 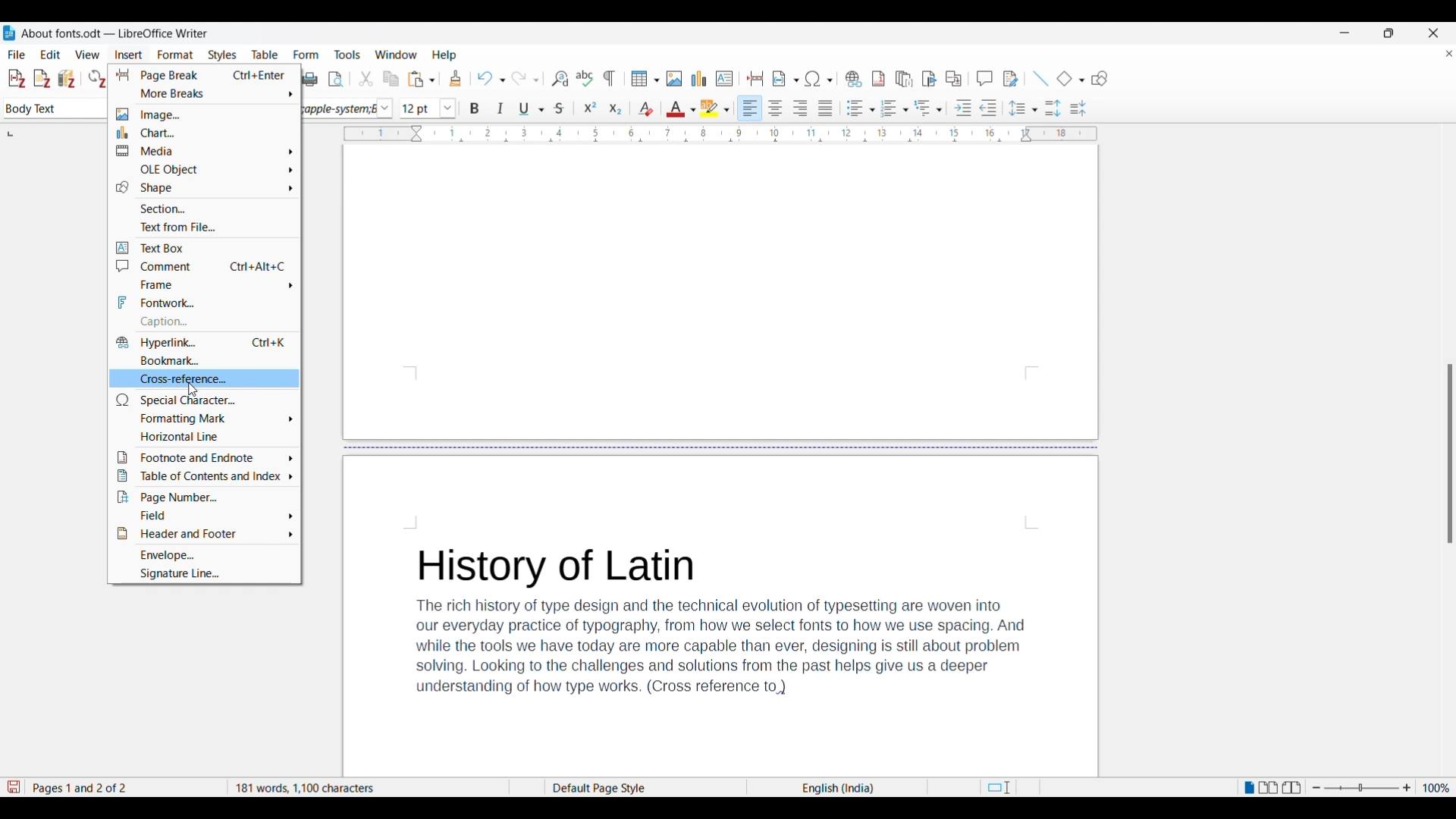 I want to click on Comment, so click(x=204, y=266).